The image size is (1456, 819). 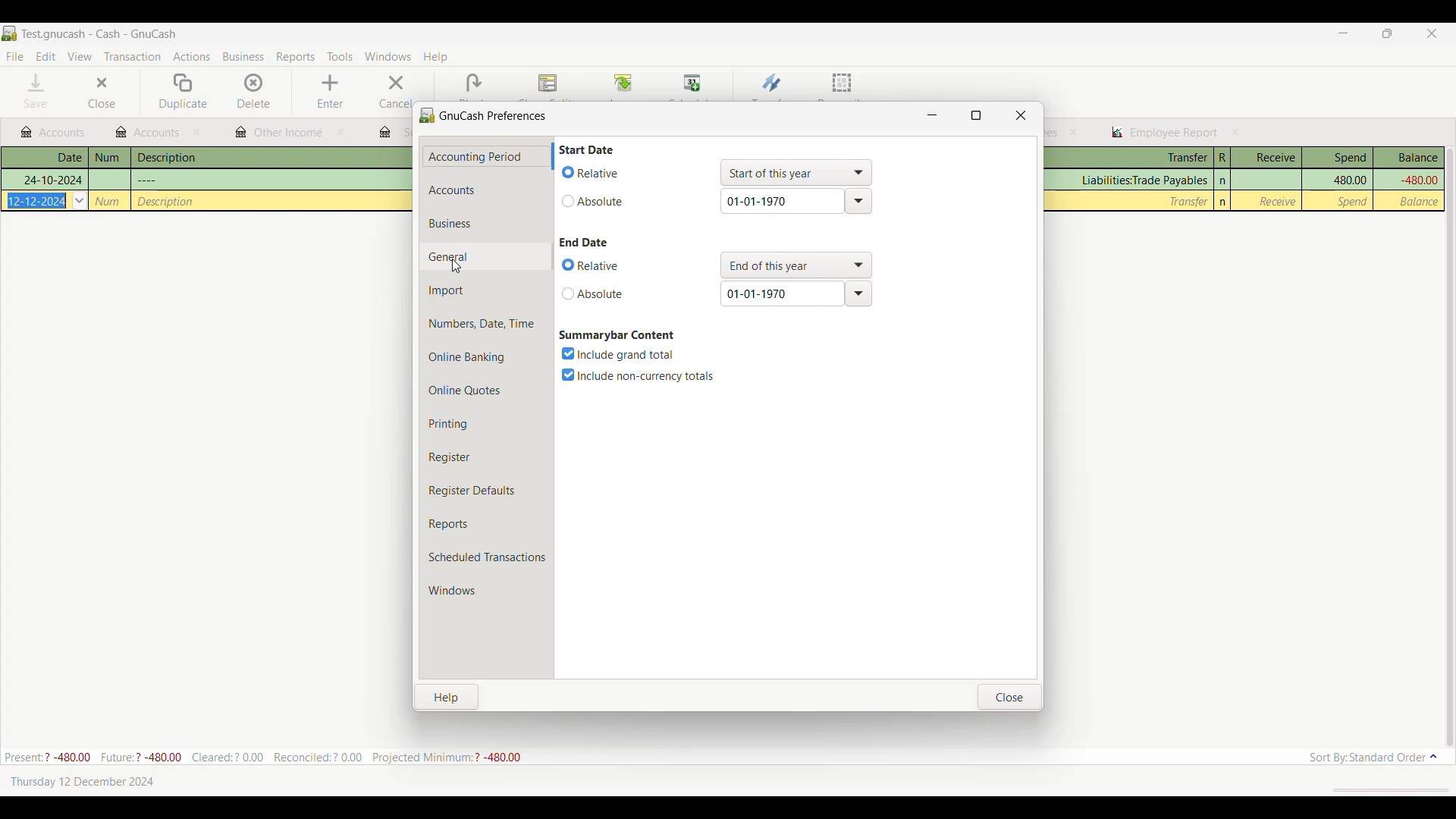 What do you see at coordinates (296, 57) in the screenshot?
I see `Reports menu` at bounding box center [296, 57].